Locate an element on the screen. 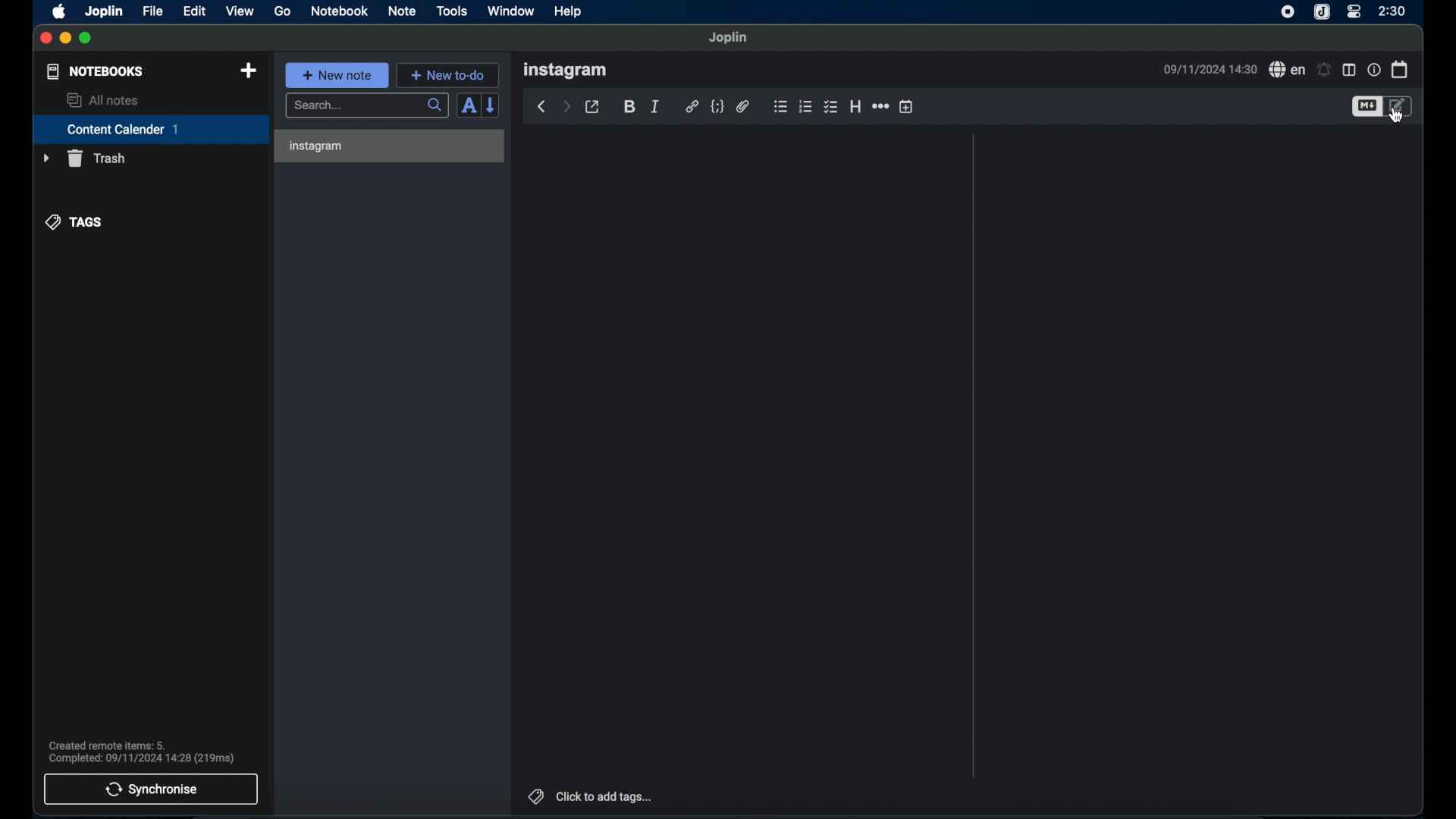 This screenshot has height=819, width=1456. instagram is located at coordinates (318, 146).